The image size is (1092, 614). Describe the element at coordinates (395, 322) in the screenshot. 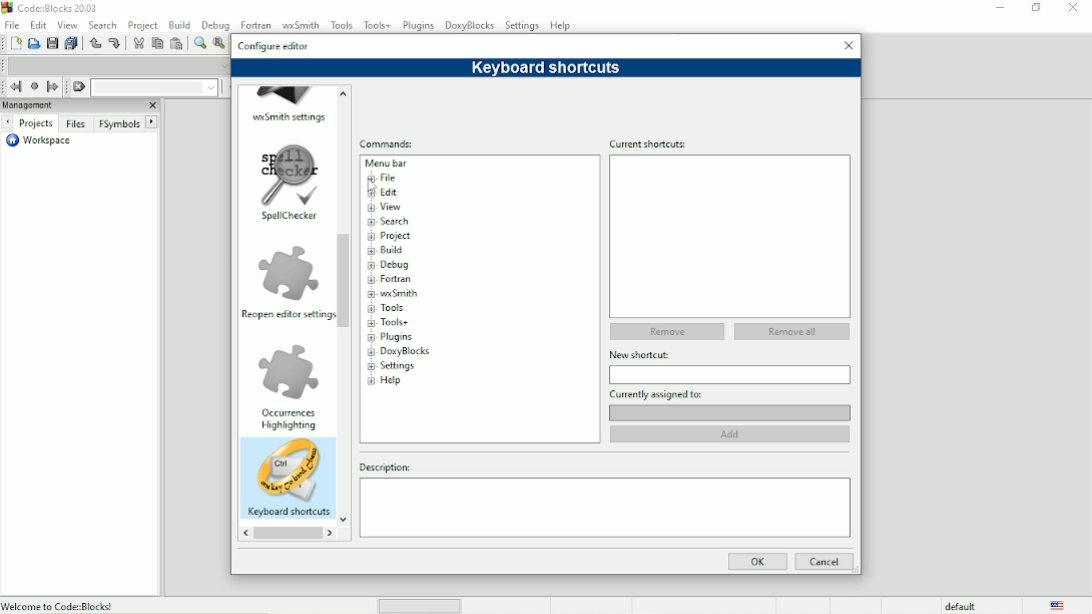

I see `Tools+` at that location.